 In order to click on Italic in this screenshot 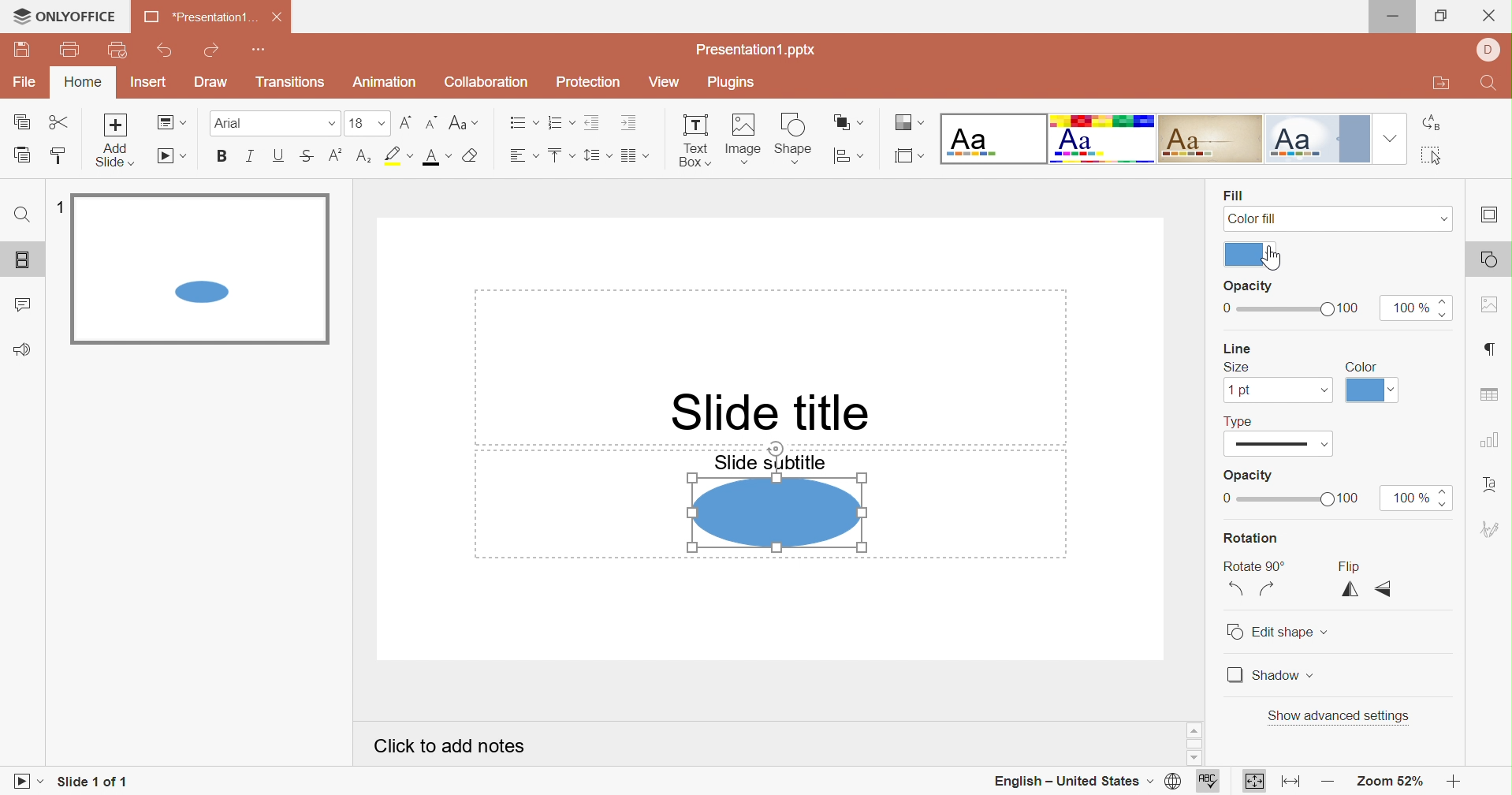, I will do `click(251, 156)`.